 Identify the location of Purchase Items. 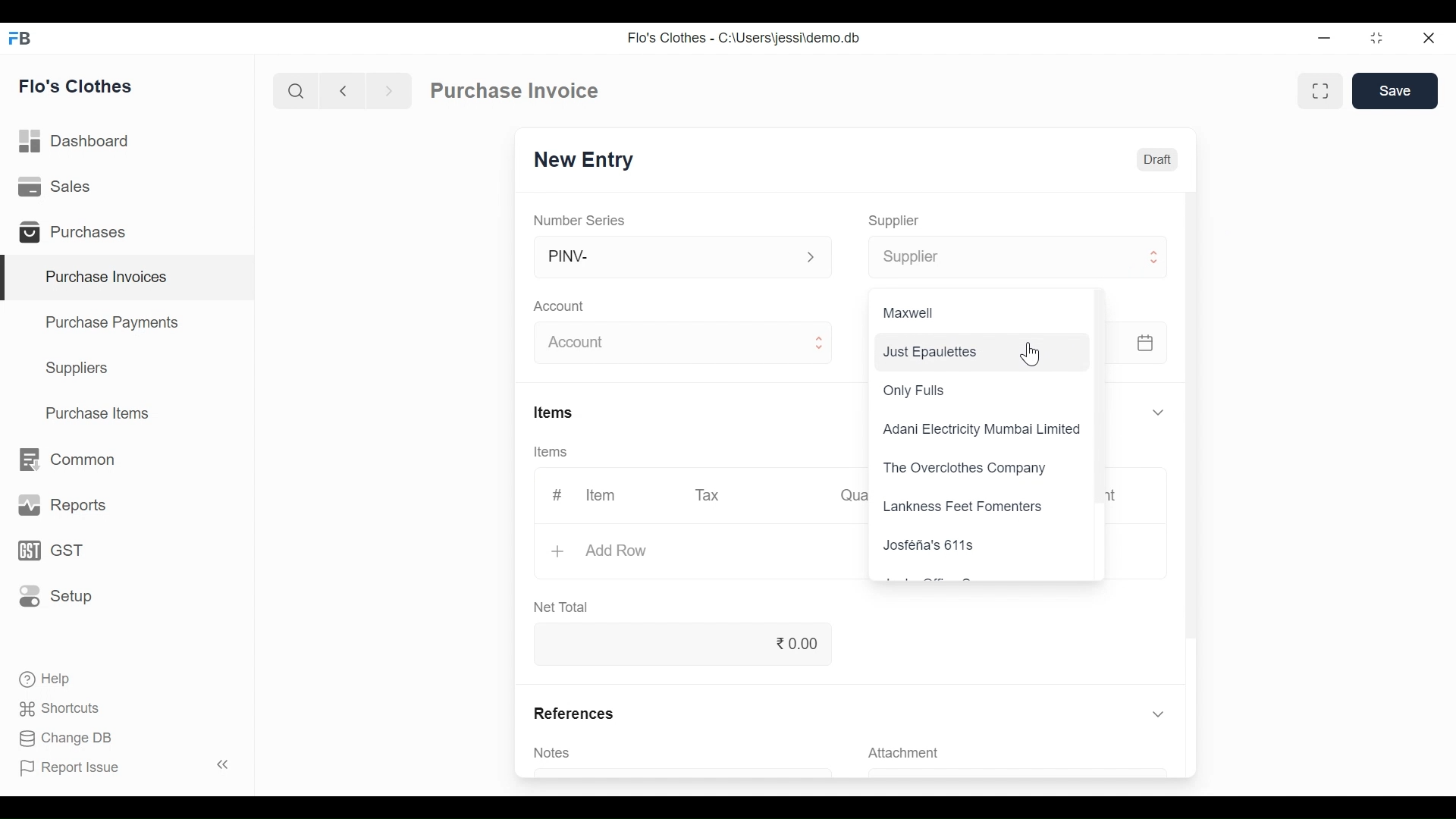
(101, 413).